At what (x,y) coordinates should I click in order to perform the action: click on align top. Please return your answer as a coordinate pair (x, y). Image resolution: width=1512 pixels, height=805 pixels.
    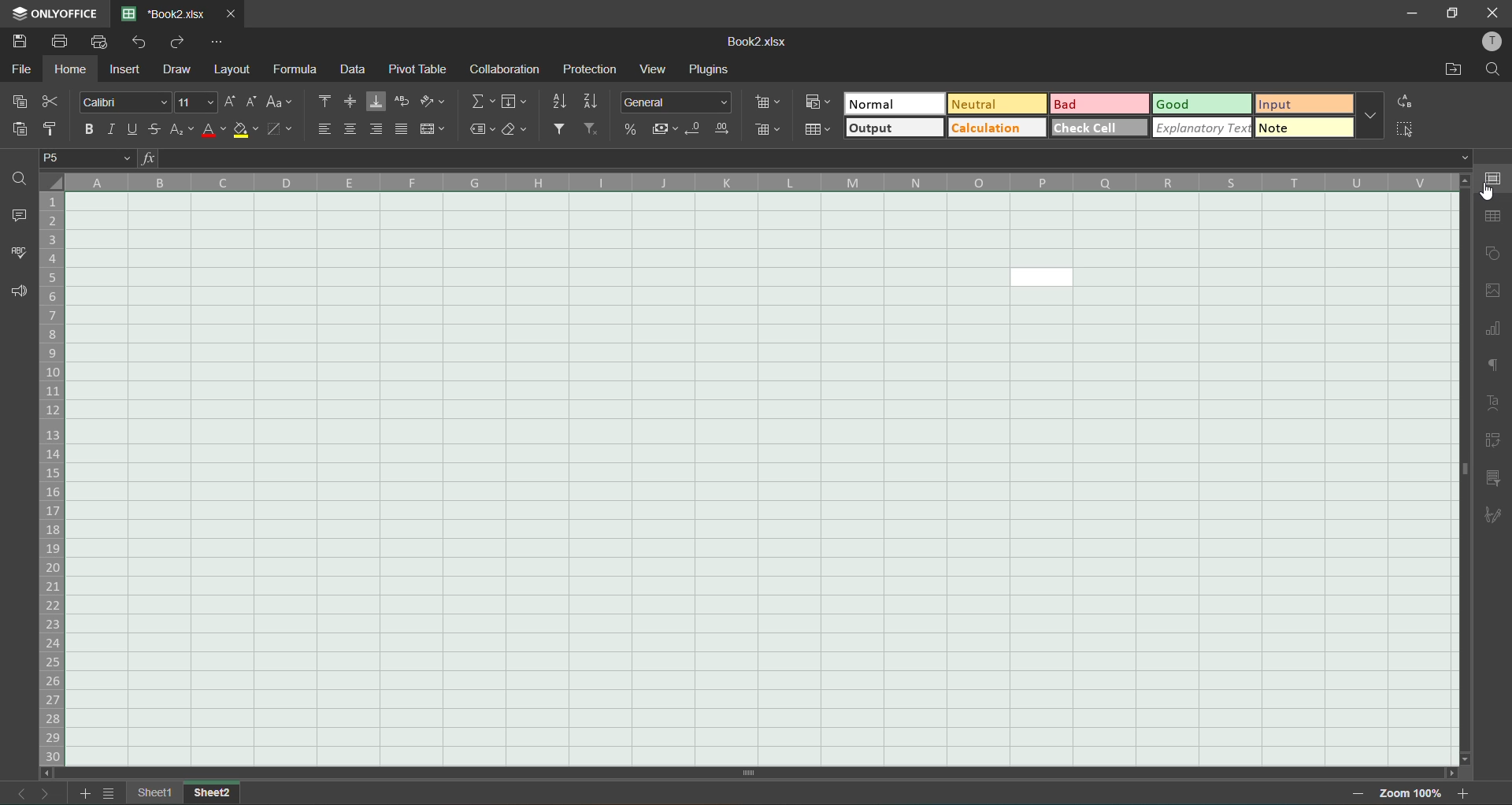
    Looking at the image, I should click on (326, 99).